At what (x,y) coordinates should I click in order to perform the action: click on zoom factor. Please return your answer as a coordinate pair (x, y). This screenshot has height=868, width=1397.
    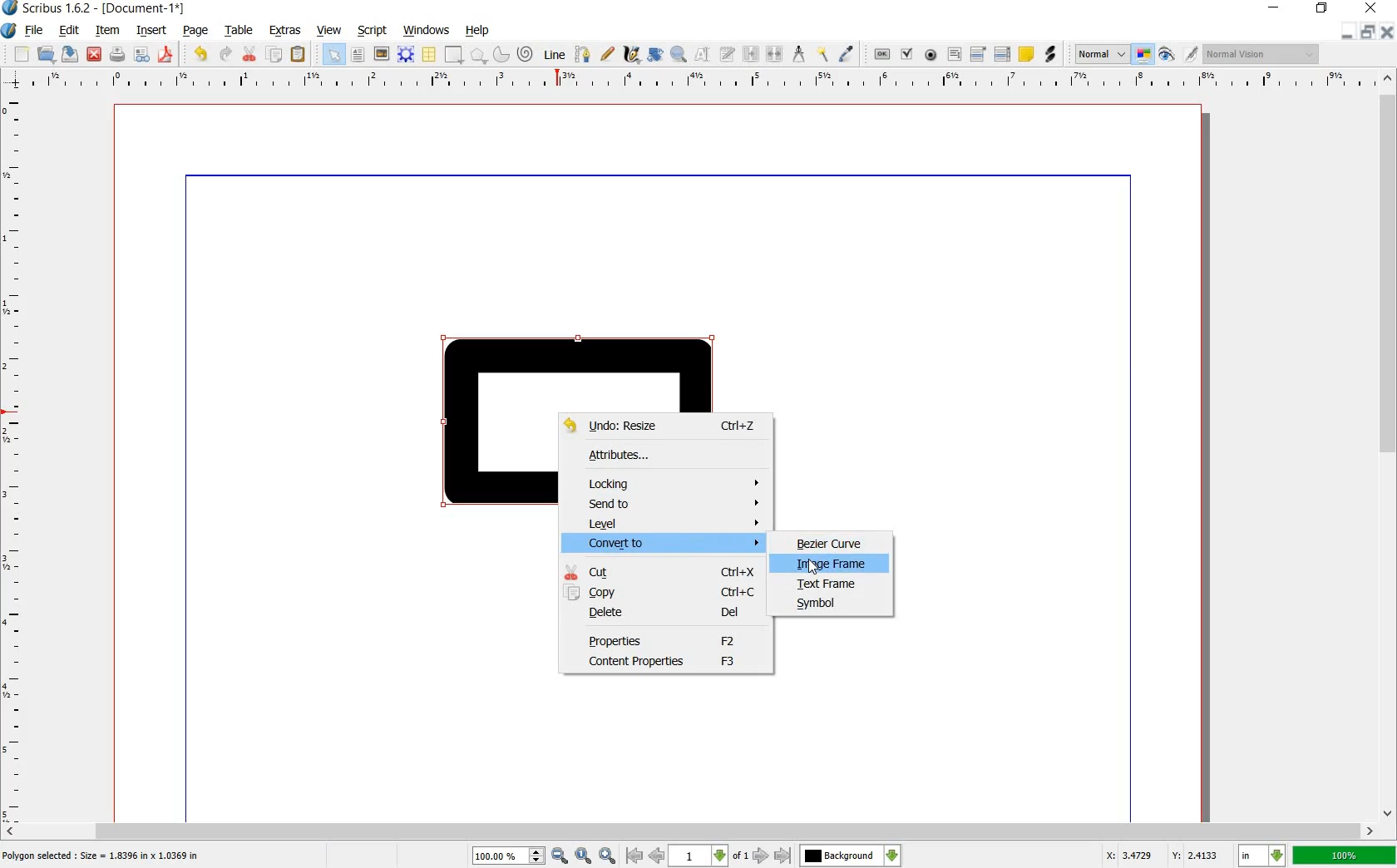
    Looking at the image, I should click on (1345, 856).